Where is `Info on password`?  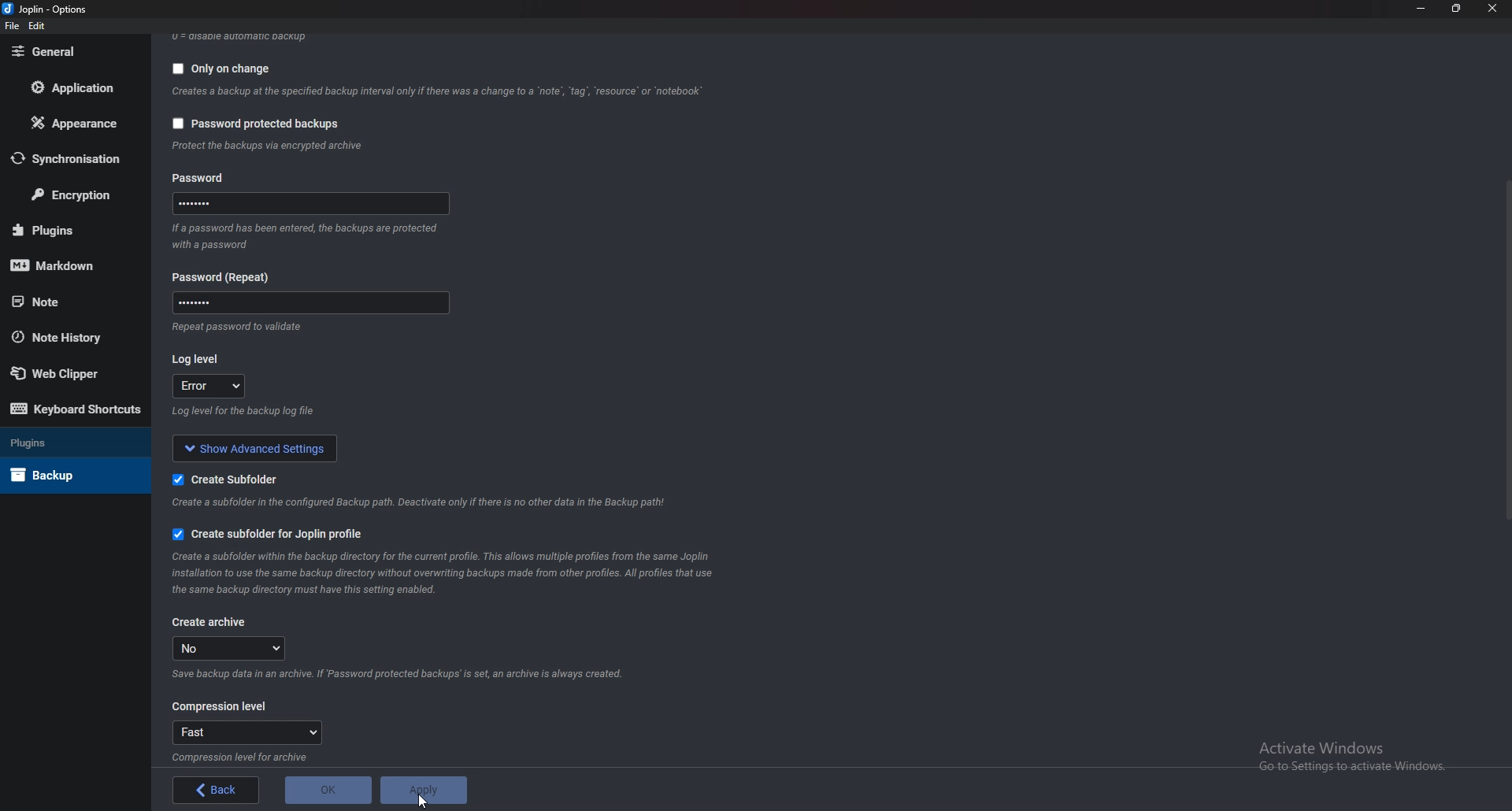
Info on password is located at coordinates (306, 239).